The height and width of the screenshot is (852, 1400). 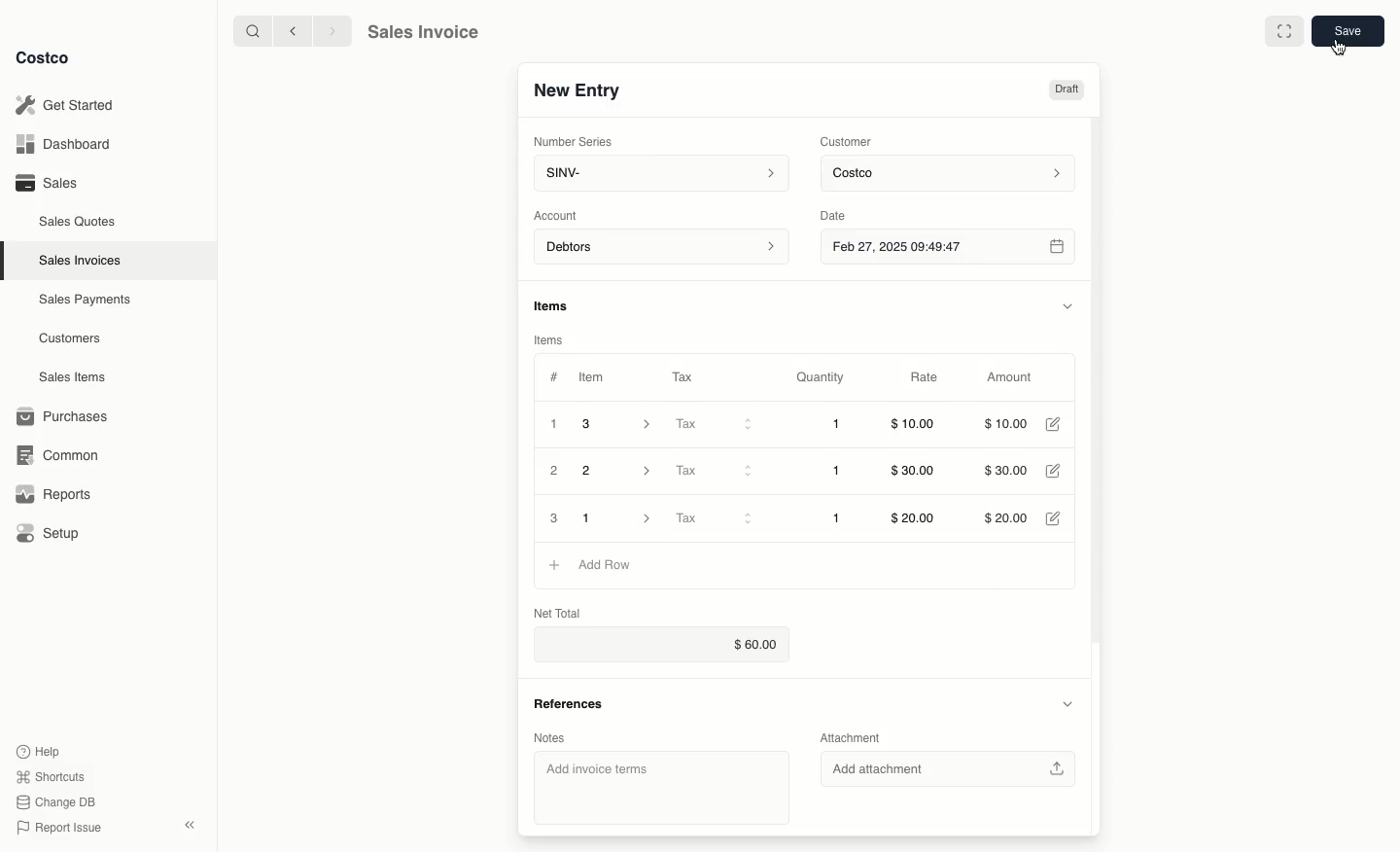 I want to click on cursor, so click(x=1339, y=50).